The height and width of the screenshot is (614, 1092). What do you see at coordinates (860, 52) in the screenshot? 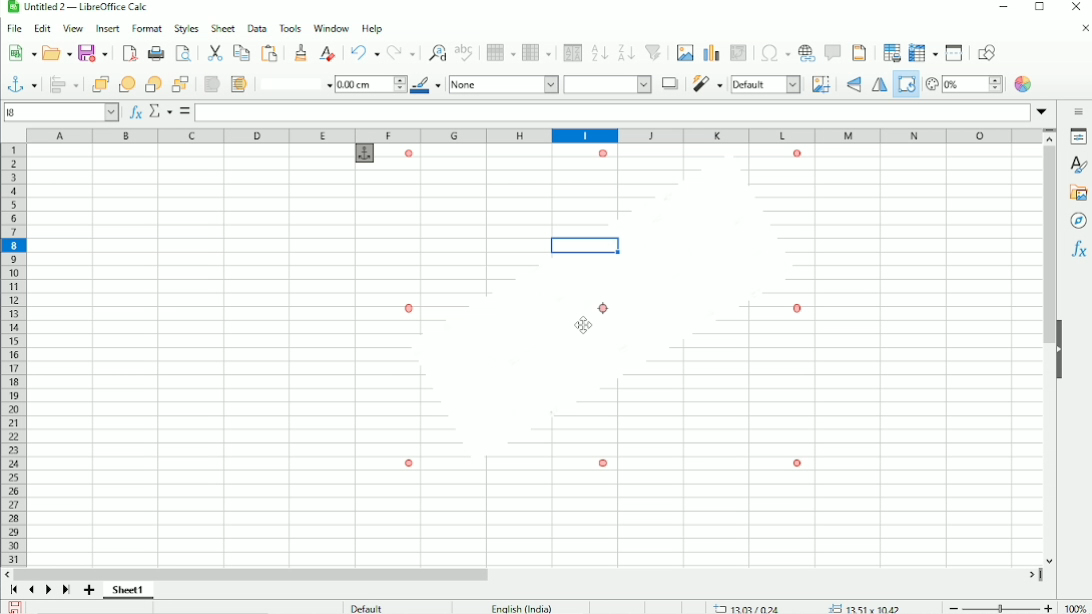
I see `Headers and footers` at bounding box center [860, 52].